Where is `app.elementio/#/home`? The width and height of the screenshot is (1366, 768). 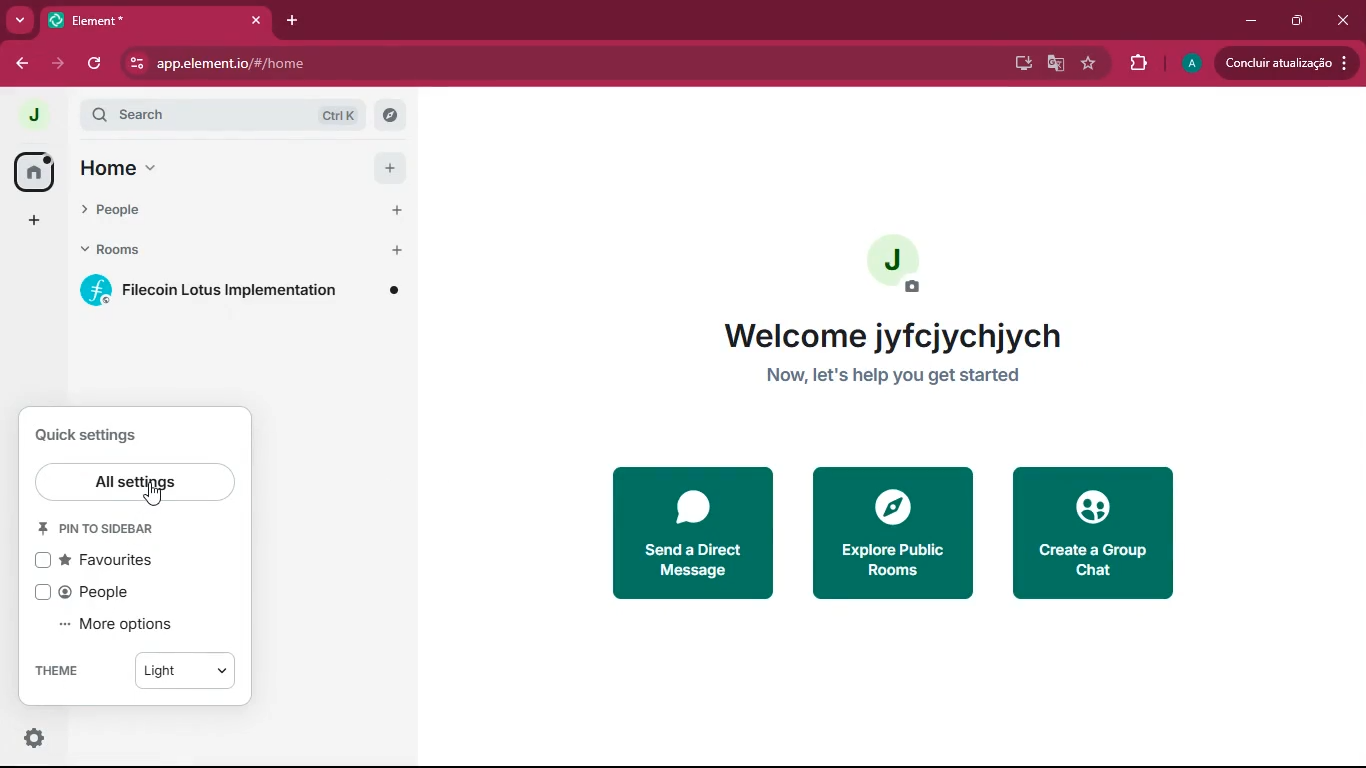 app.elementio/#/home is located at coordinates (396, 64).